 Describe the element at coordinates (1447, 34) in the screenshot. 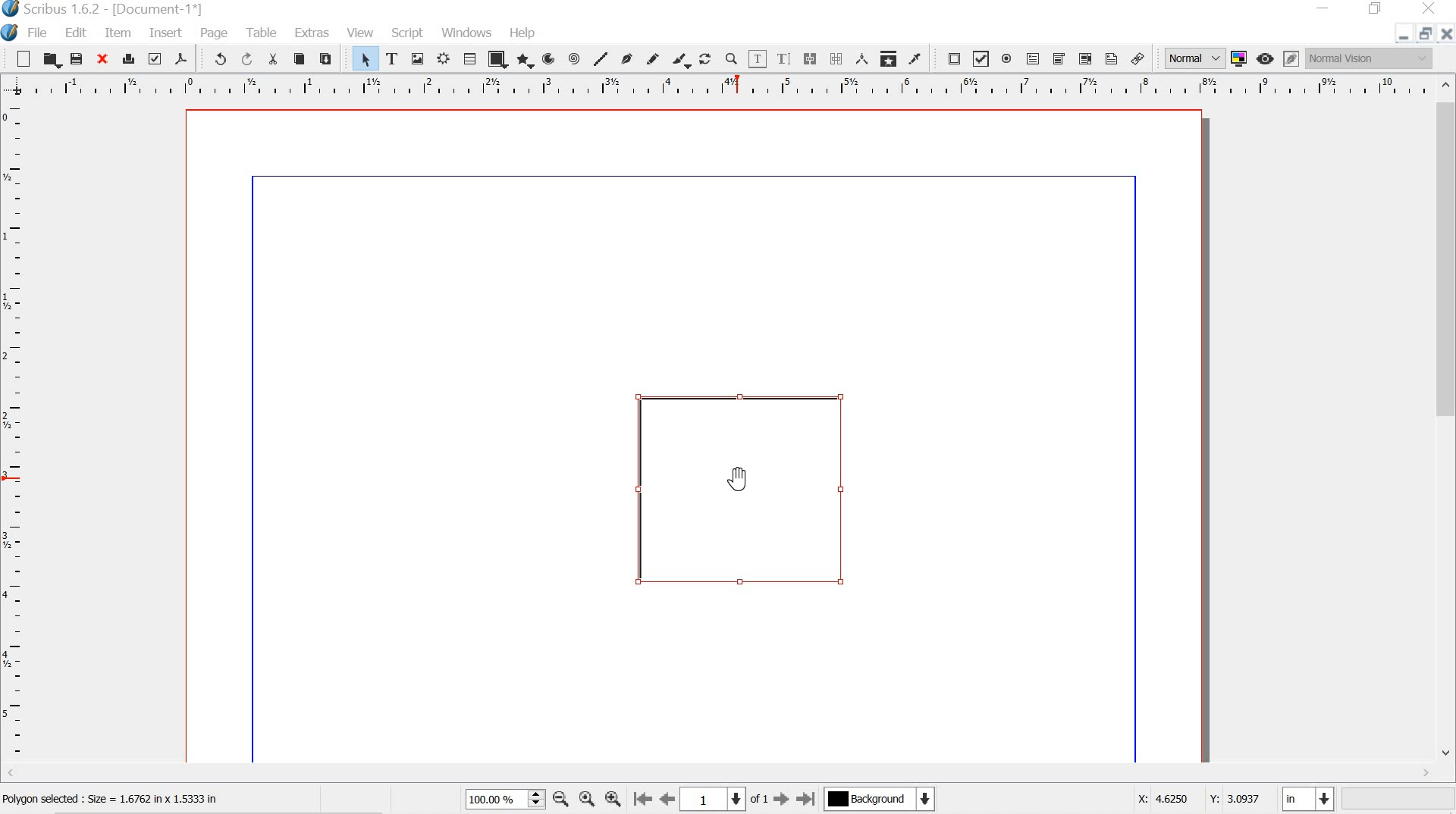

I see `CLOSE` at that location.